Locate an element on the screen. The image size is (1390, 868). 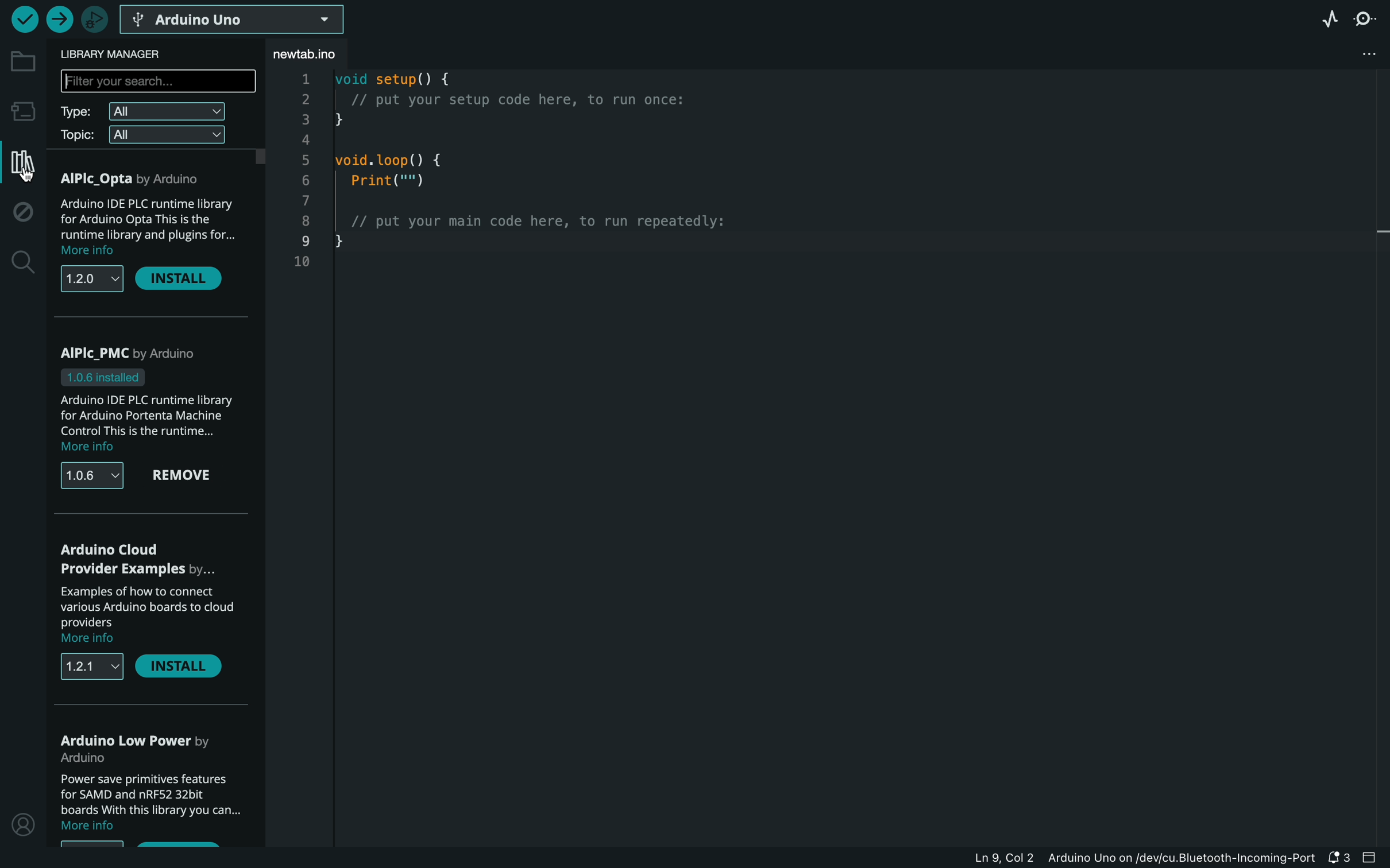
library manager is located at coordinates (132, 53).